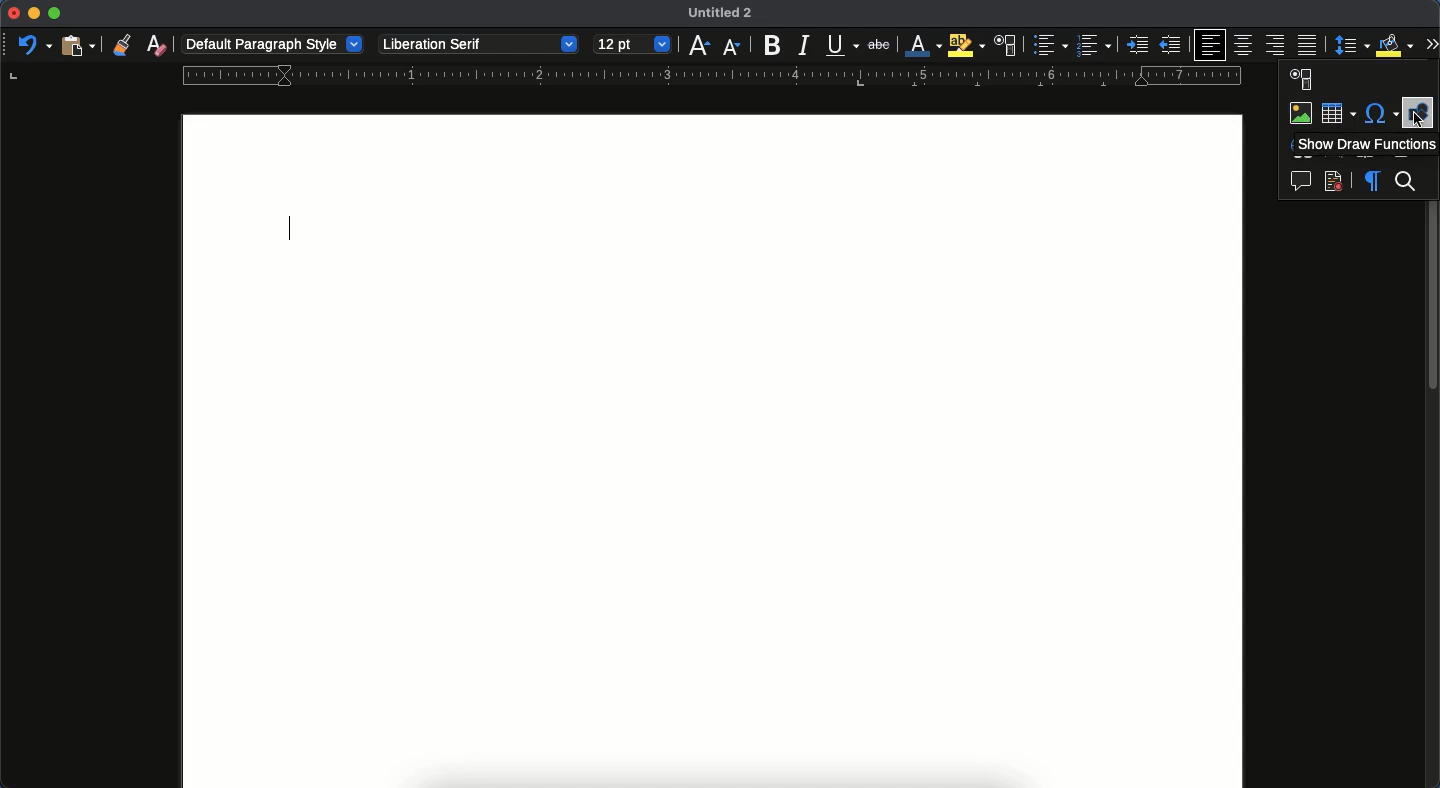  Describe the element at coordinates (33, 43) in the screenshot. I see `undo` at that location.